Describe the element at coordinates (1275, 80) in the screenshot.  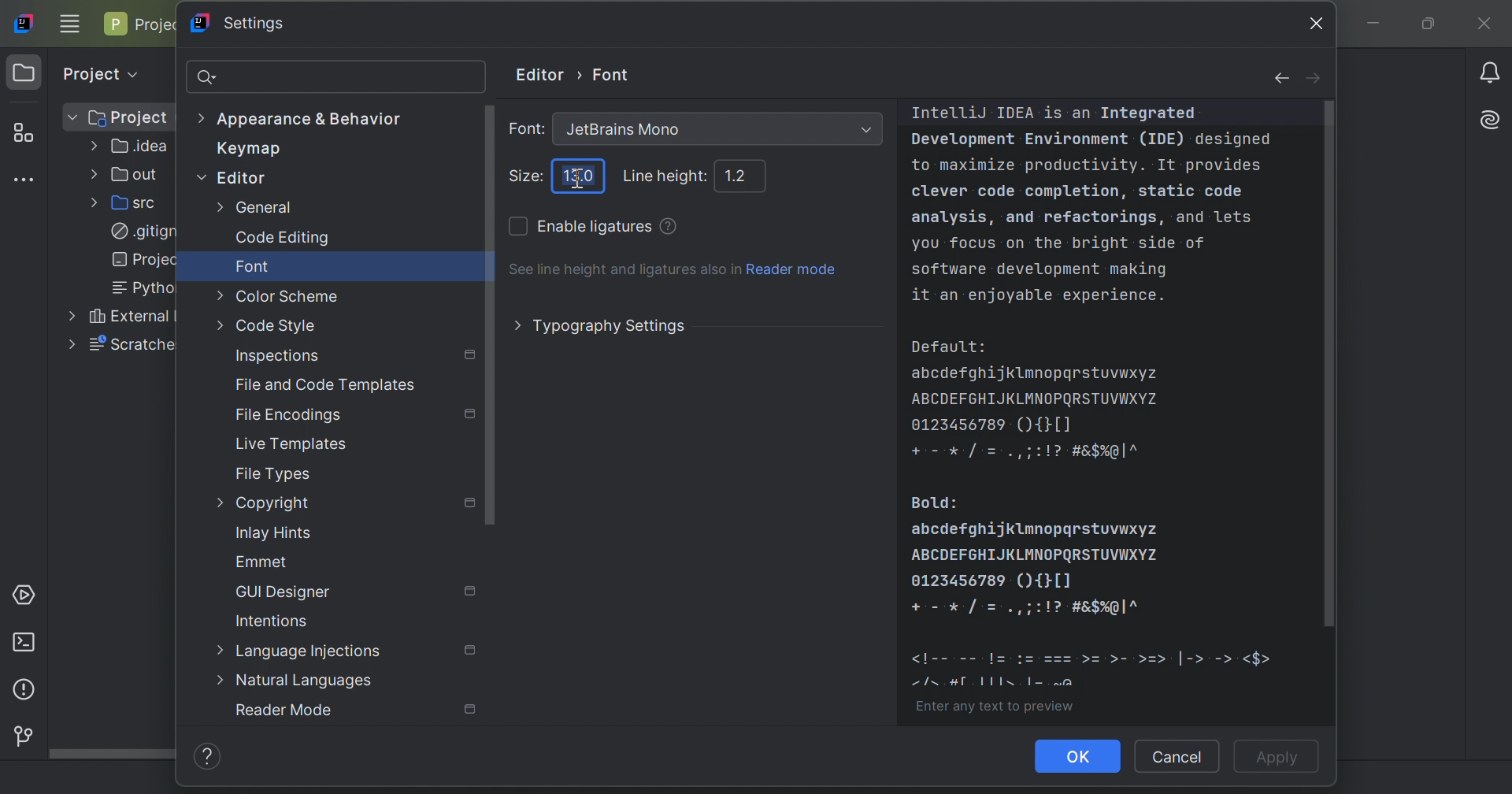
I see `back` at that location.